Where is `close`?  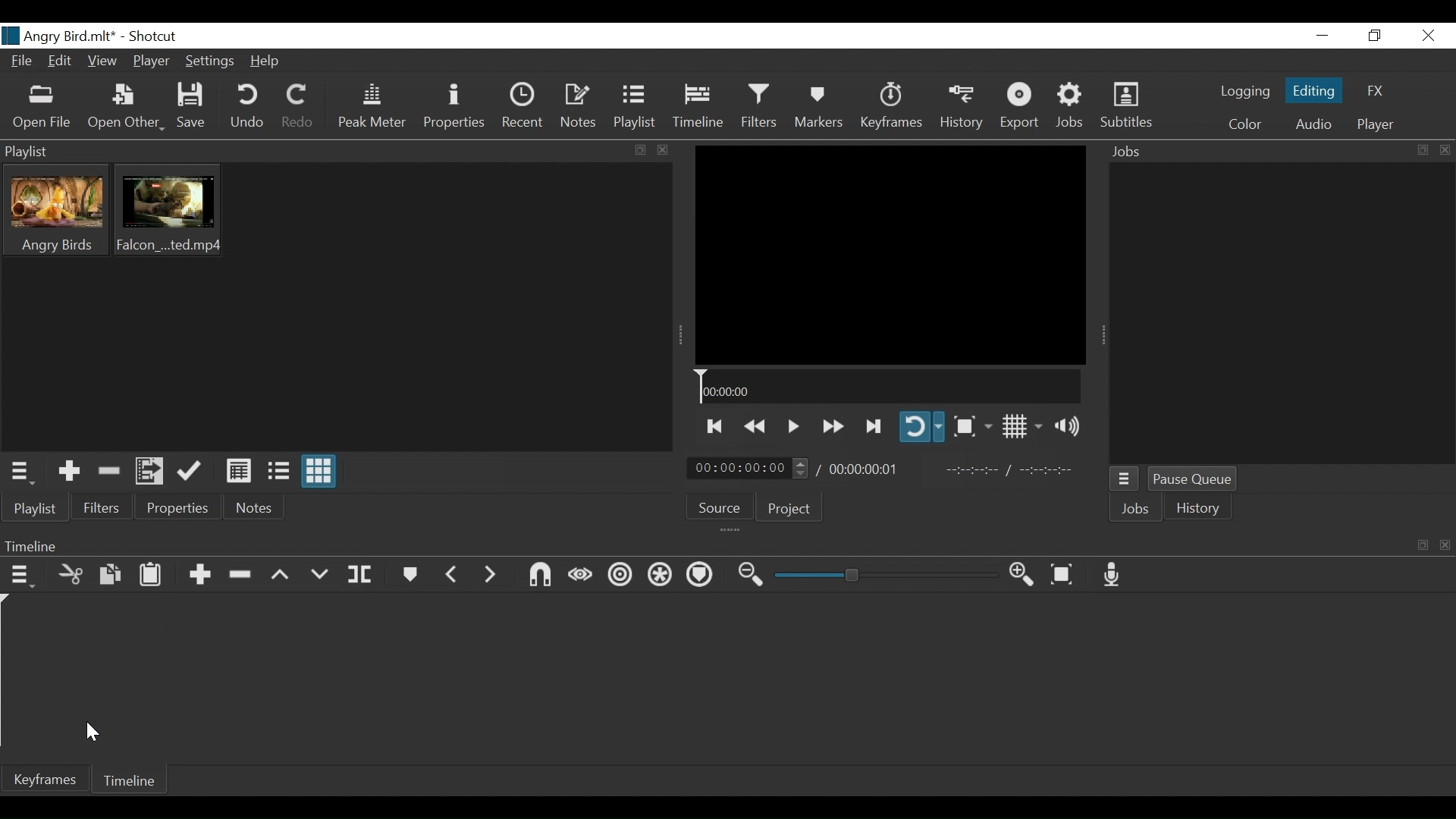
close is located at coordinates (1446, 150).